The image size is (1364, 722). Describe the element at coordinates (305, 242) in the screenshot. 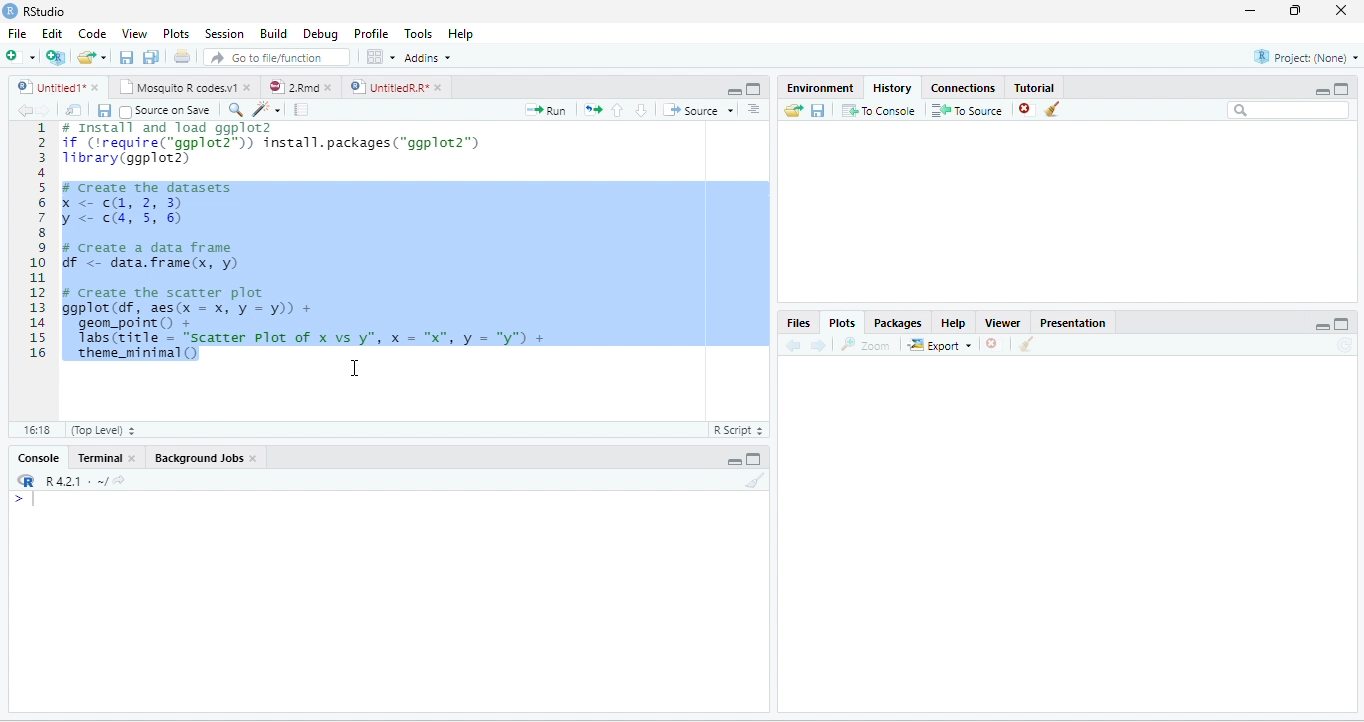

I see `# Install and load ggplot2
if (‘require("ggplot2™)) install.packages("ggplot2”)
1ibrary(ggplot2)
F create the datasets
X <<, 2, 3)
y < cs, 5, 6)
# create a data frame
Gf <- data.frame(x, y)
# Create the scatter plot
ggplot(df, aes(x = x, y = y)) +
geom_point() +
Tabs(title = "scatter Plot of x vs y", x = "x", y = "y") +
‘theme_minimal()` at that location.